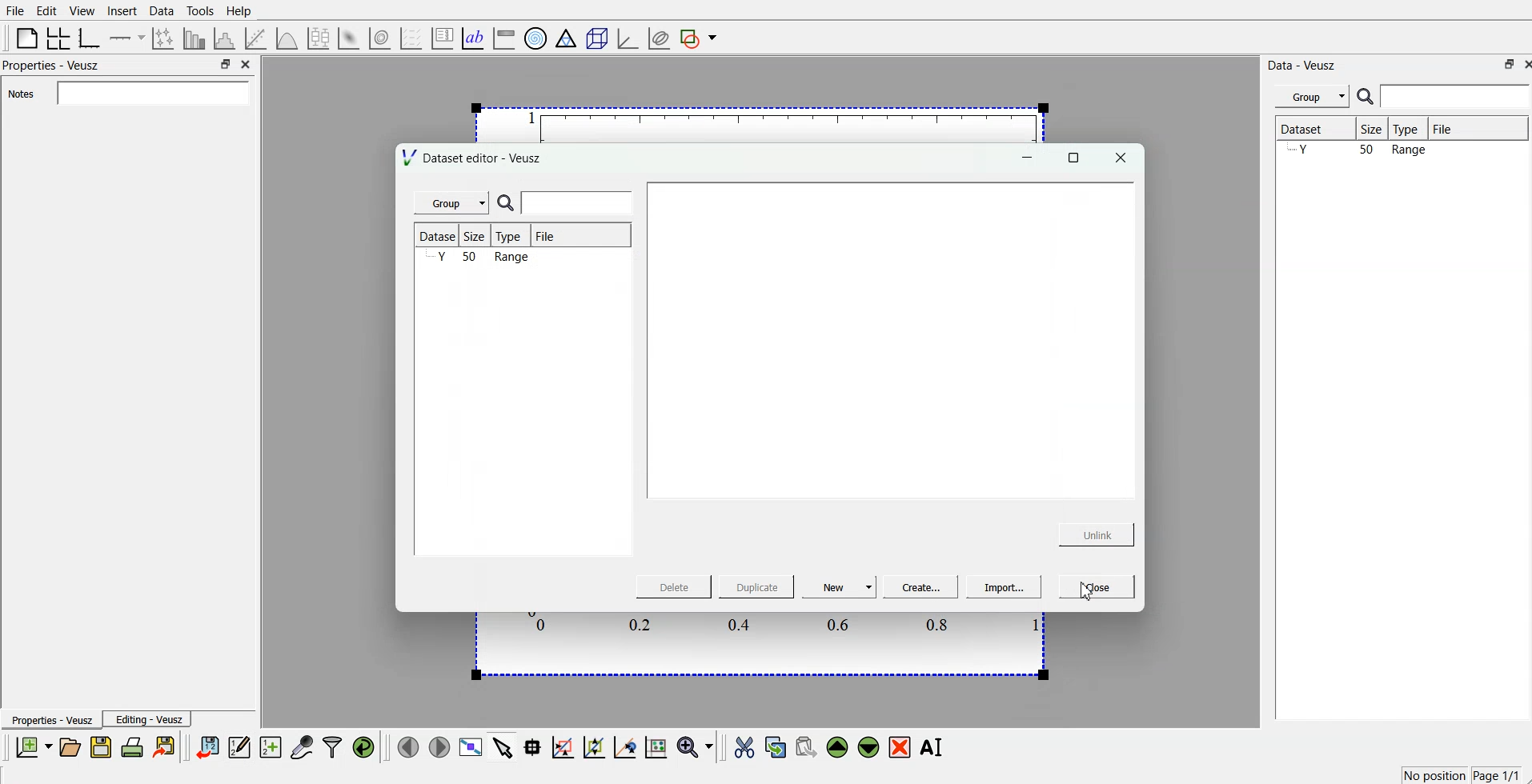 Image resolution: width=1532 pixels, height=784 pixels. Describe the element at coordinates (1120, 158) in the screenshot. I see `close` at that location.